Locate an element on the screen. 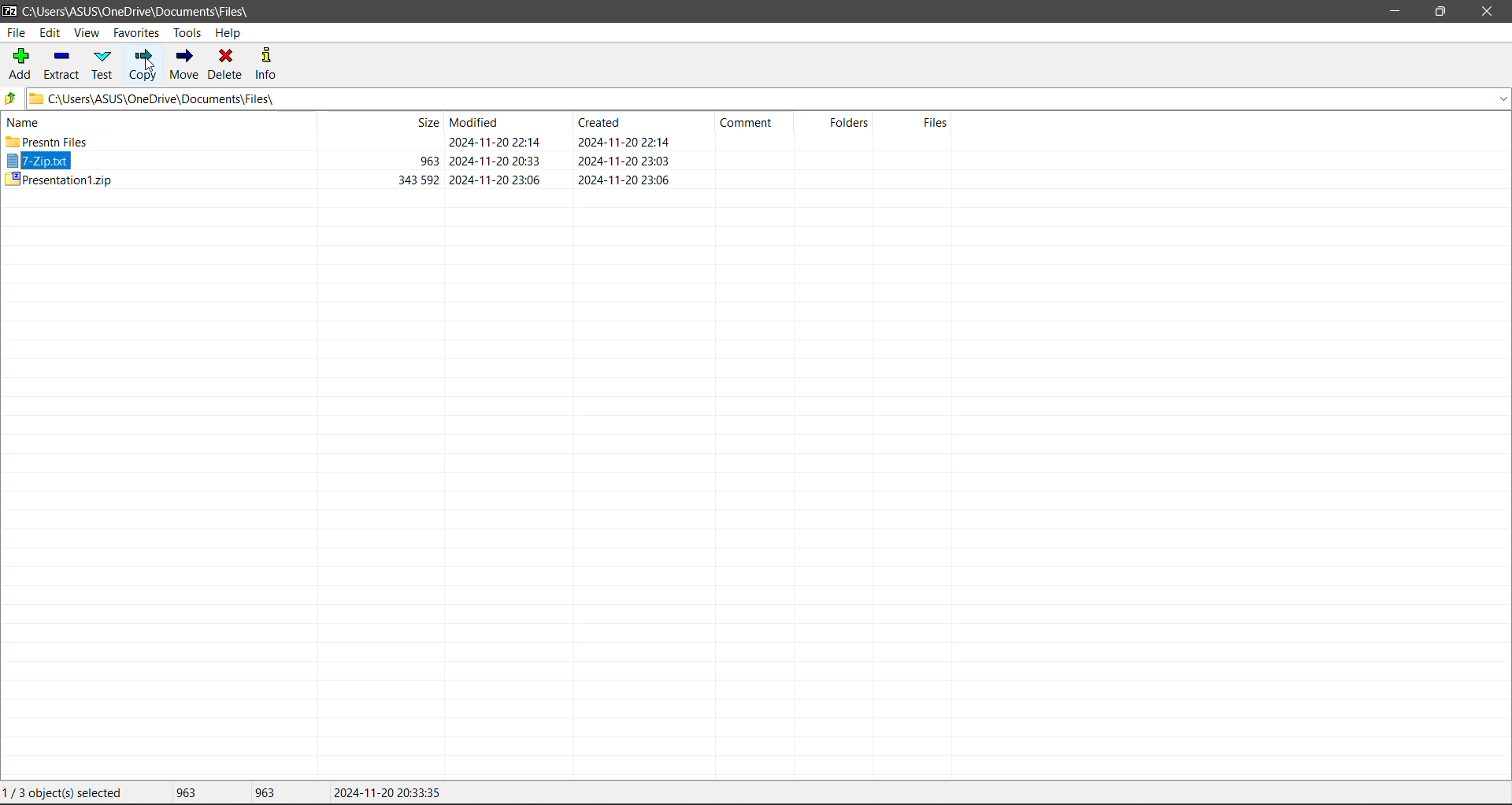  Copy is located at coordinates (143, 64).